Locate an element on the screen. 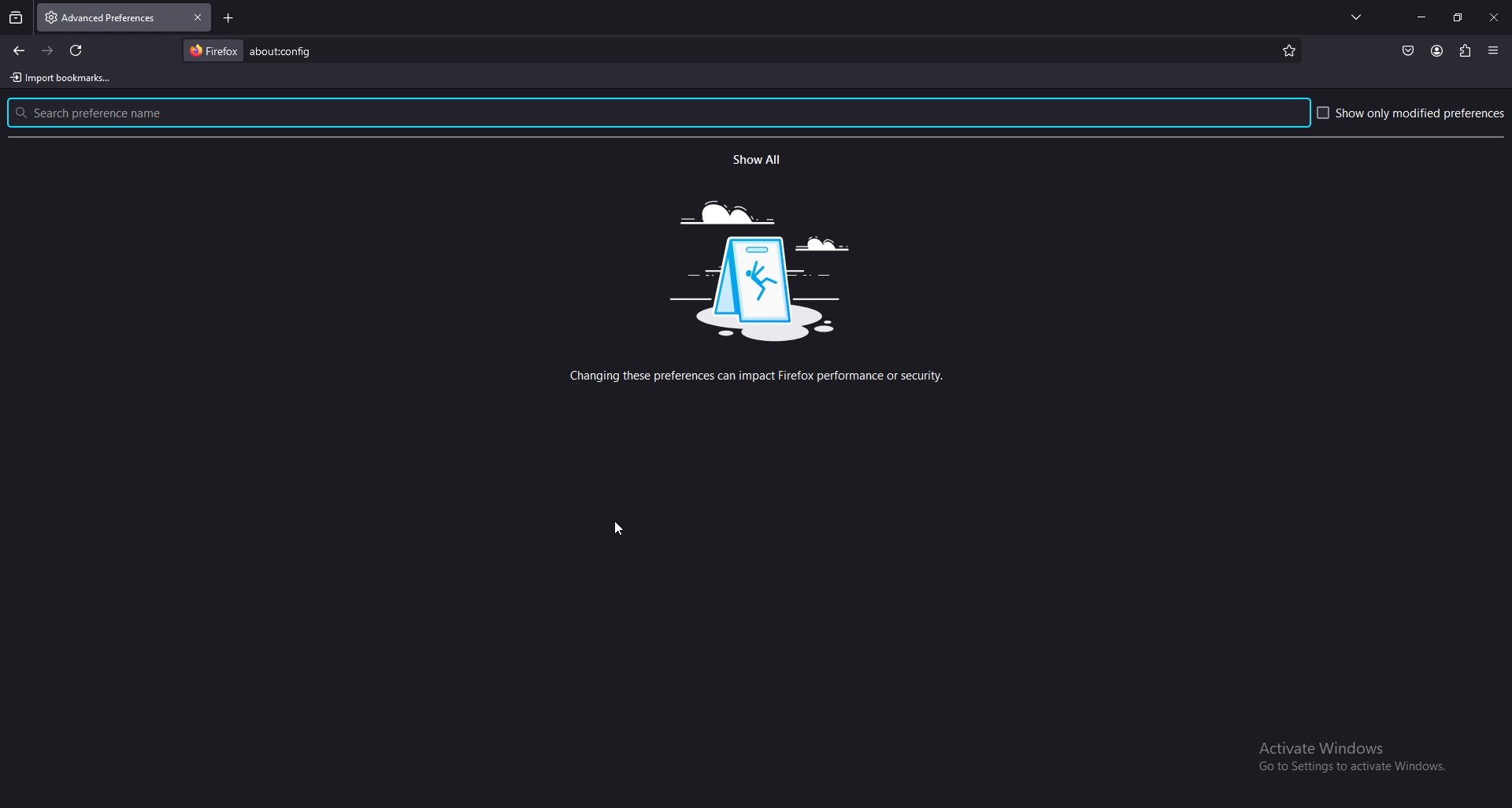  show all is located at coordinates (758, 159).